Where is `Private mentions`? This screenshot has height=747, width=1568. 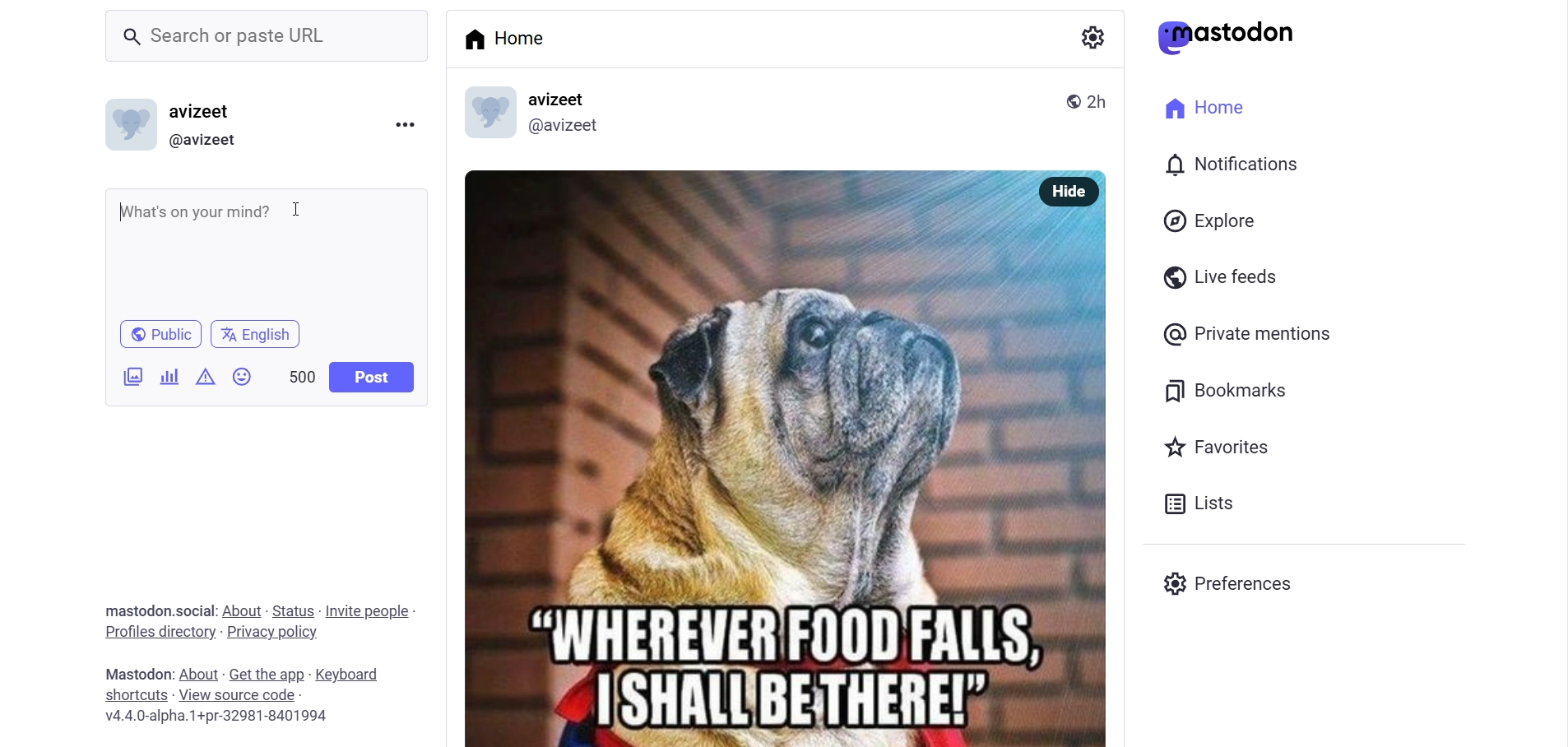
Private mentions is located at coordinates (1269, 336).